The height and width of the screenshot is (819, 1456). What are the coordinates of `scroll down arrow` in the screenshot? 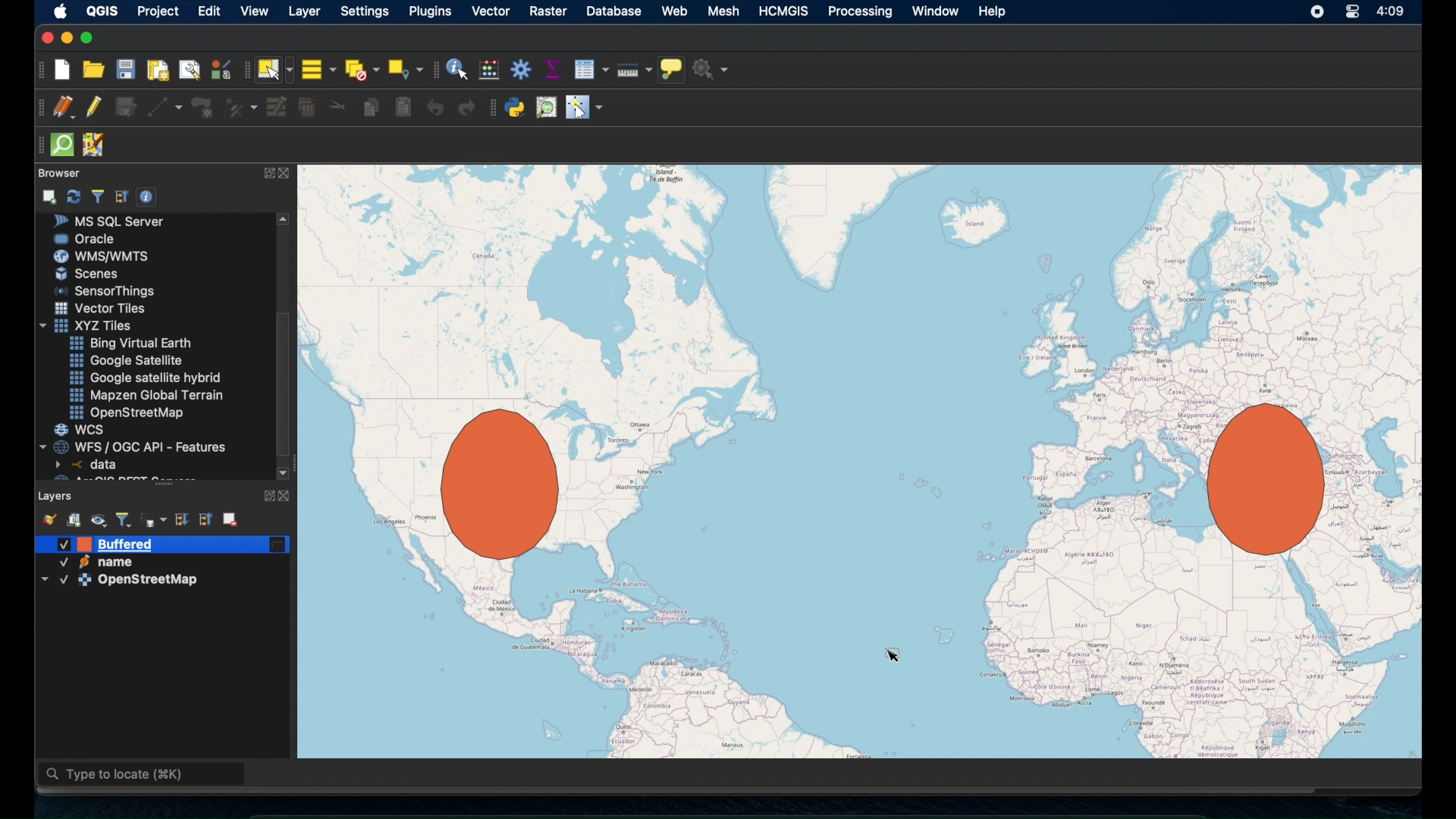 It's located at (283, 471).